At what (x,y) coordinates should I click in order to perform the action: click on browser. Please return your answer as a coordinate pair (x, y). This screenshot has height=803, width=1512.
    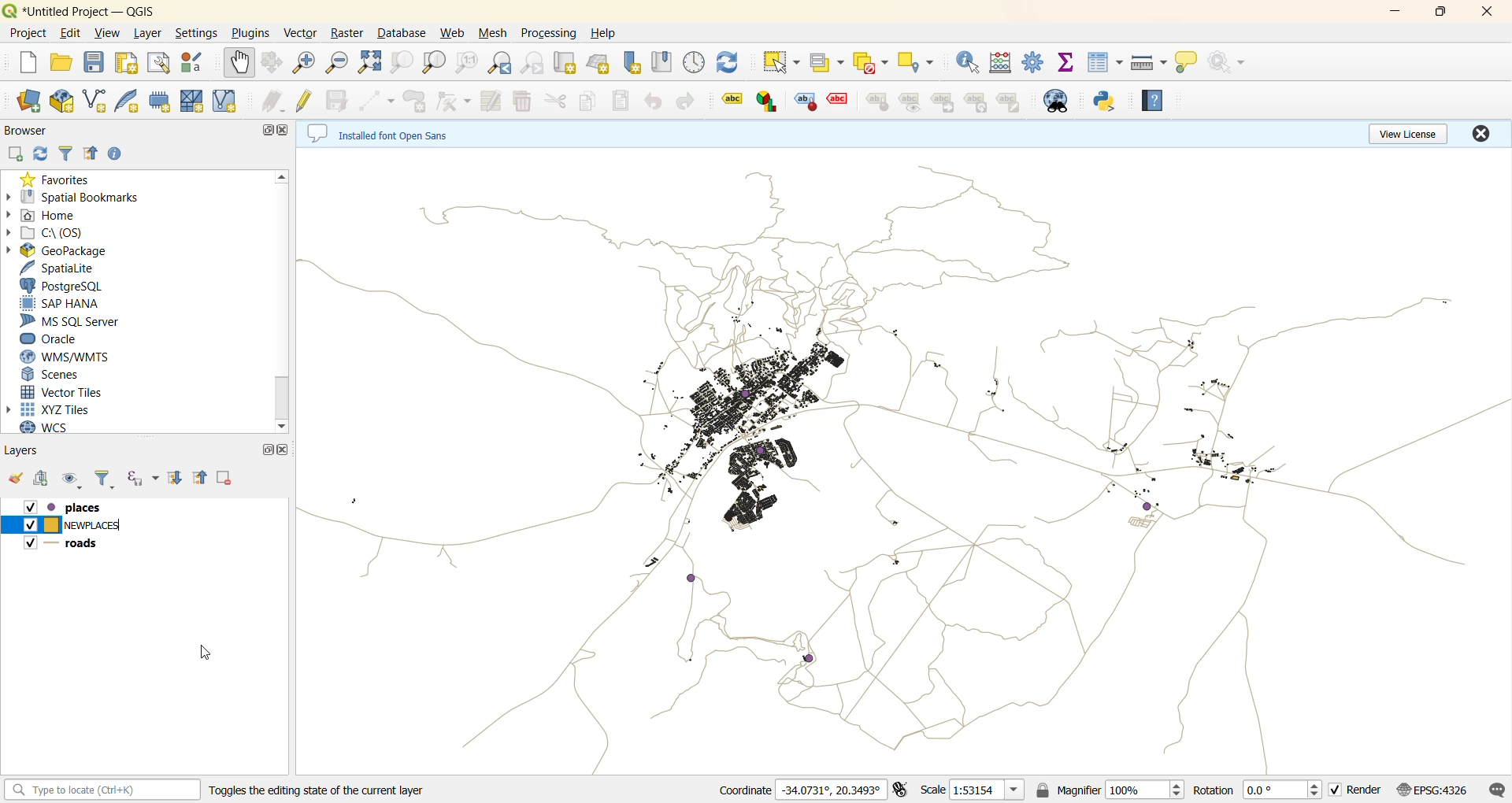
    Looking at the image, I should click on (25, 130).